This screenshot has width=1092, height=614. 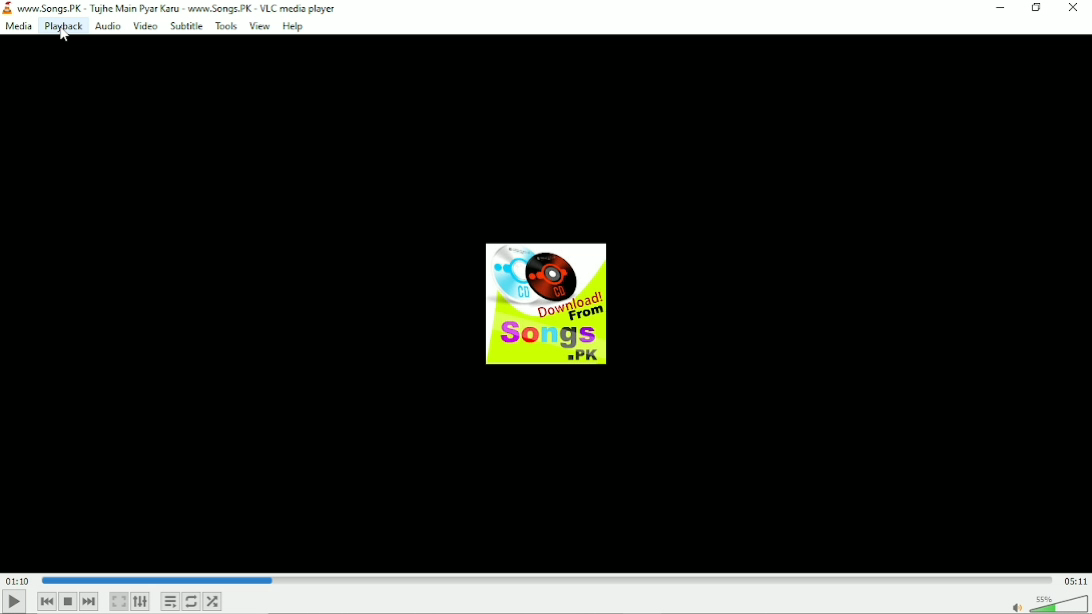 What do you see at coordinates (90, 601) in the screenshot?
I see `Next` at bounding box center [90, 601].